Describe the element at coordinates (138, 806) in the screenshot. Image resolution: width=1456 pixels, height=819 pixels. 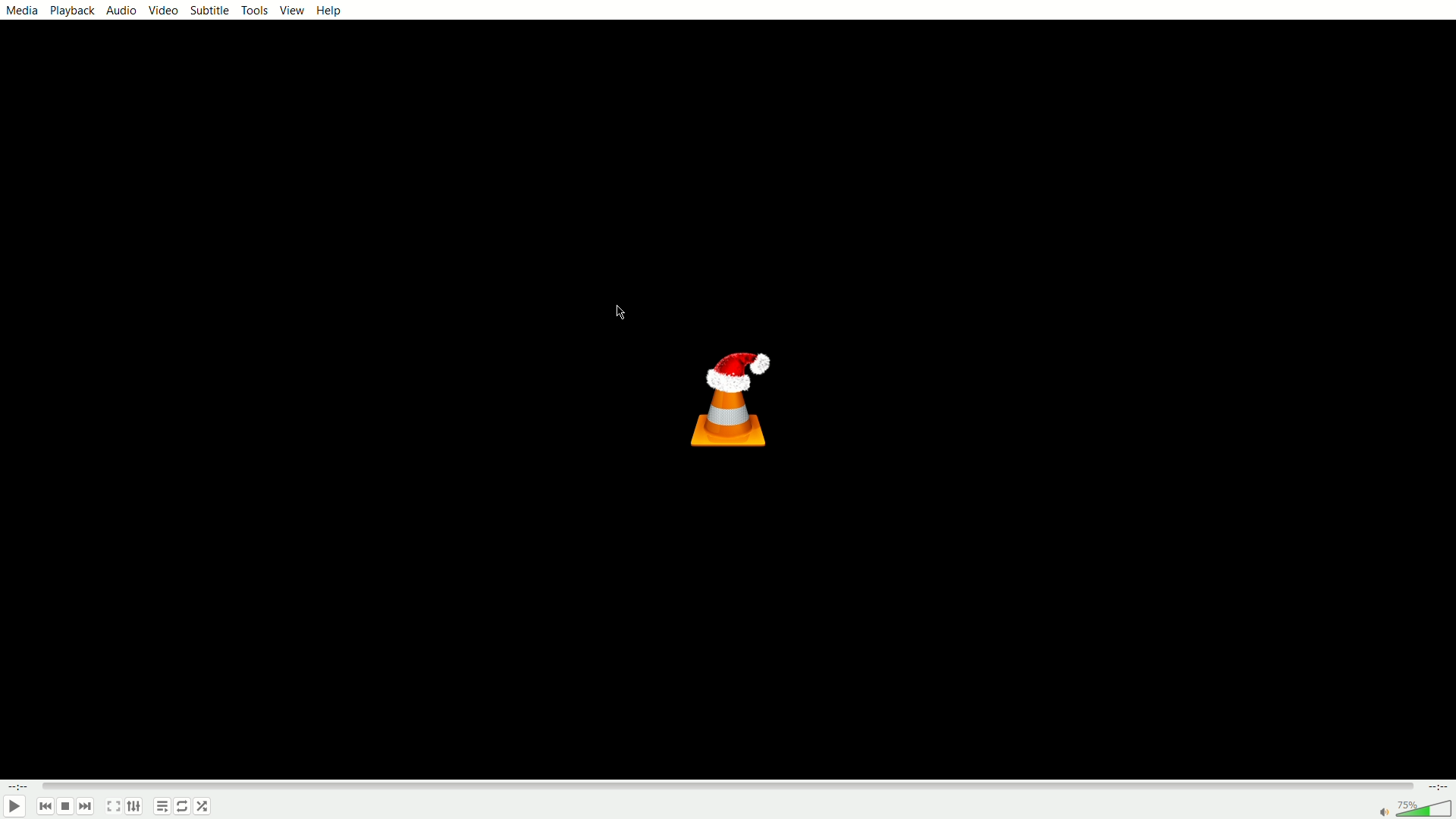
I see `extended settings` at that location.